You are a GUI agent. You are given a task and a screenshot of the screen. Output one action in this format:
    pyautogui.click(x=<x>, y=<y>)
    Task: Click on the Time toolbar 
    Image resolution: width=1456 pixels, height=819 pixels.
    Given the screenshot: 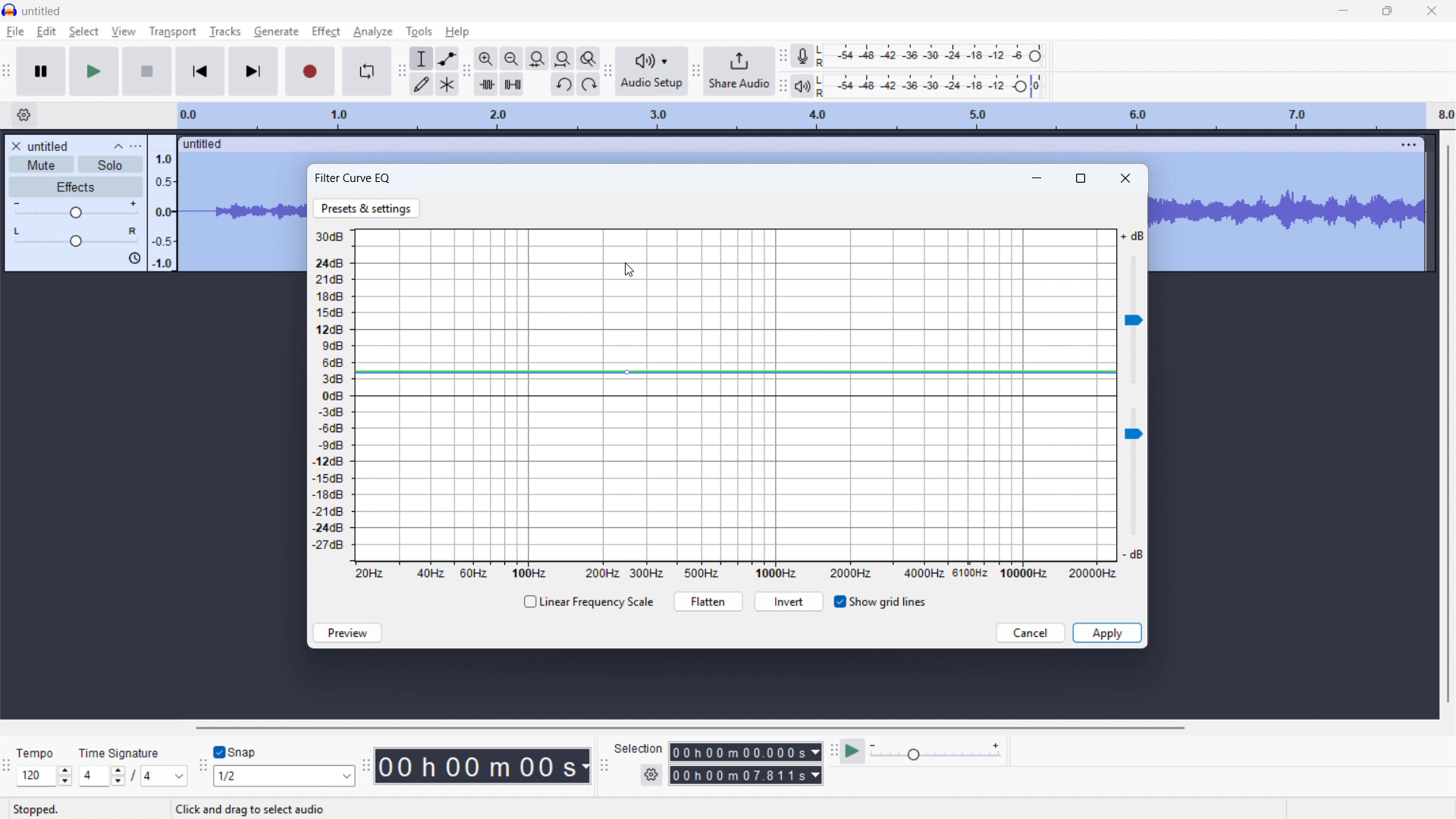 What is the action you would take?
    pyautogui.click(x=367, y=767)
    